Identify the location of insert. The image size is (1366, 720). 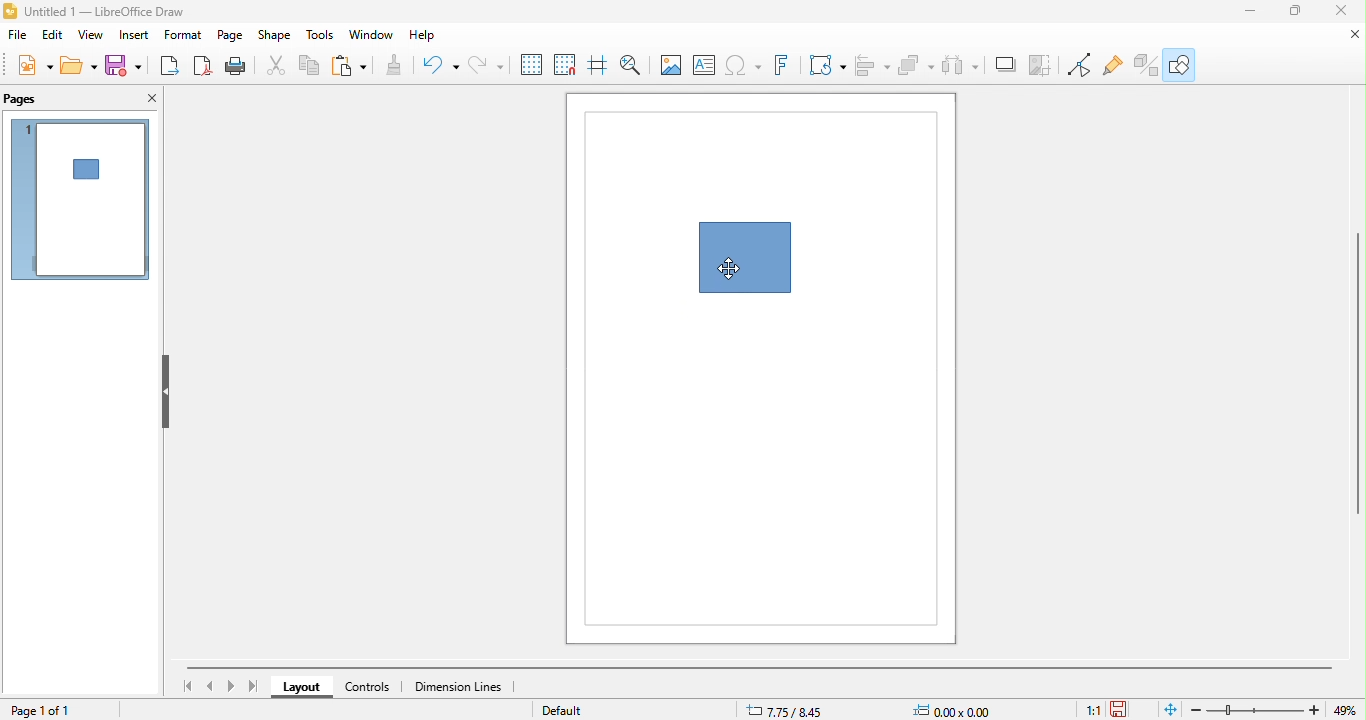
(137, 37).